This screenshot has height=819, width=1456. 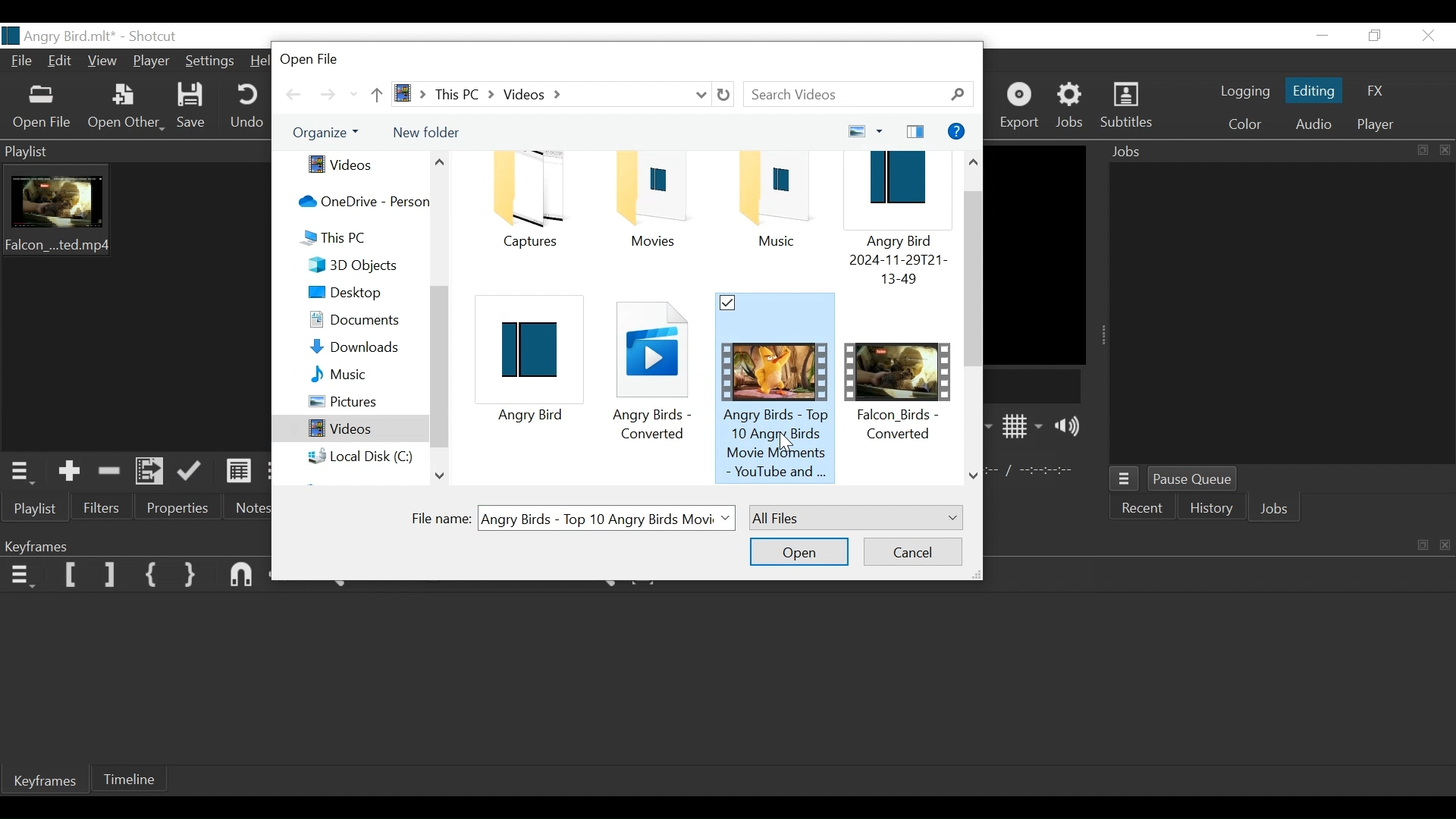 What do you see at coordinates (111, 575) in the screenshot?
I see `Set Filter last` at bounding box center [111, 575].